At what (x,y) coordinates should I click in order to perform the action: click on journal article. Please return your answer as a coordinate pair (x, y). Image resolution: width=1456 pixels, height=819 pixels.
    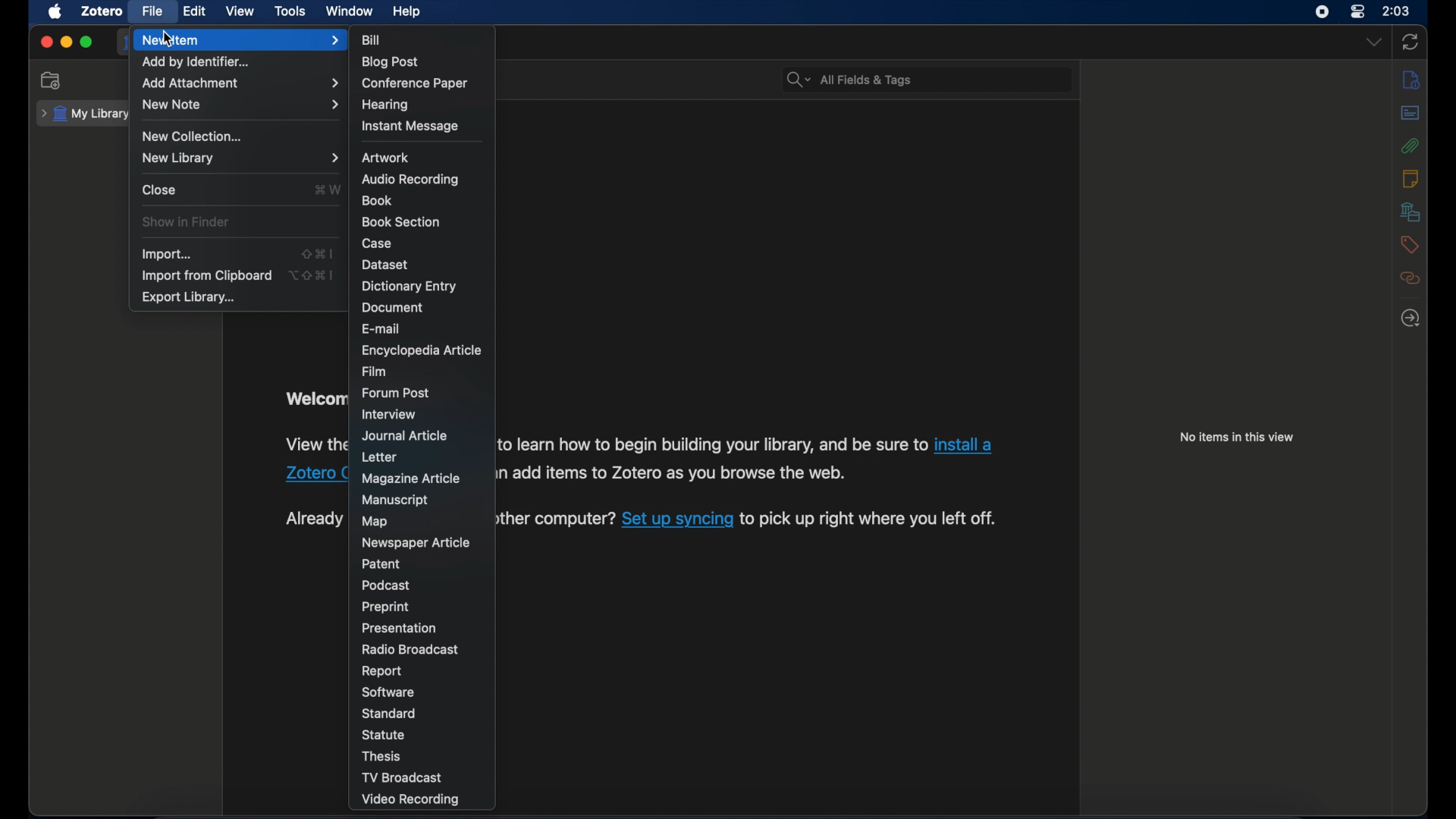
    Looking at the image, I should click on (403, 435).